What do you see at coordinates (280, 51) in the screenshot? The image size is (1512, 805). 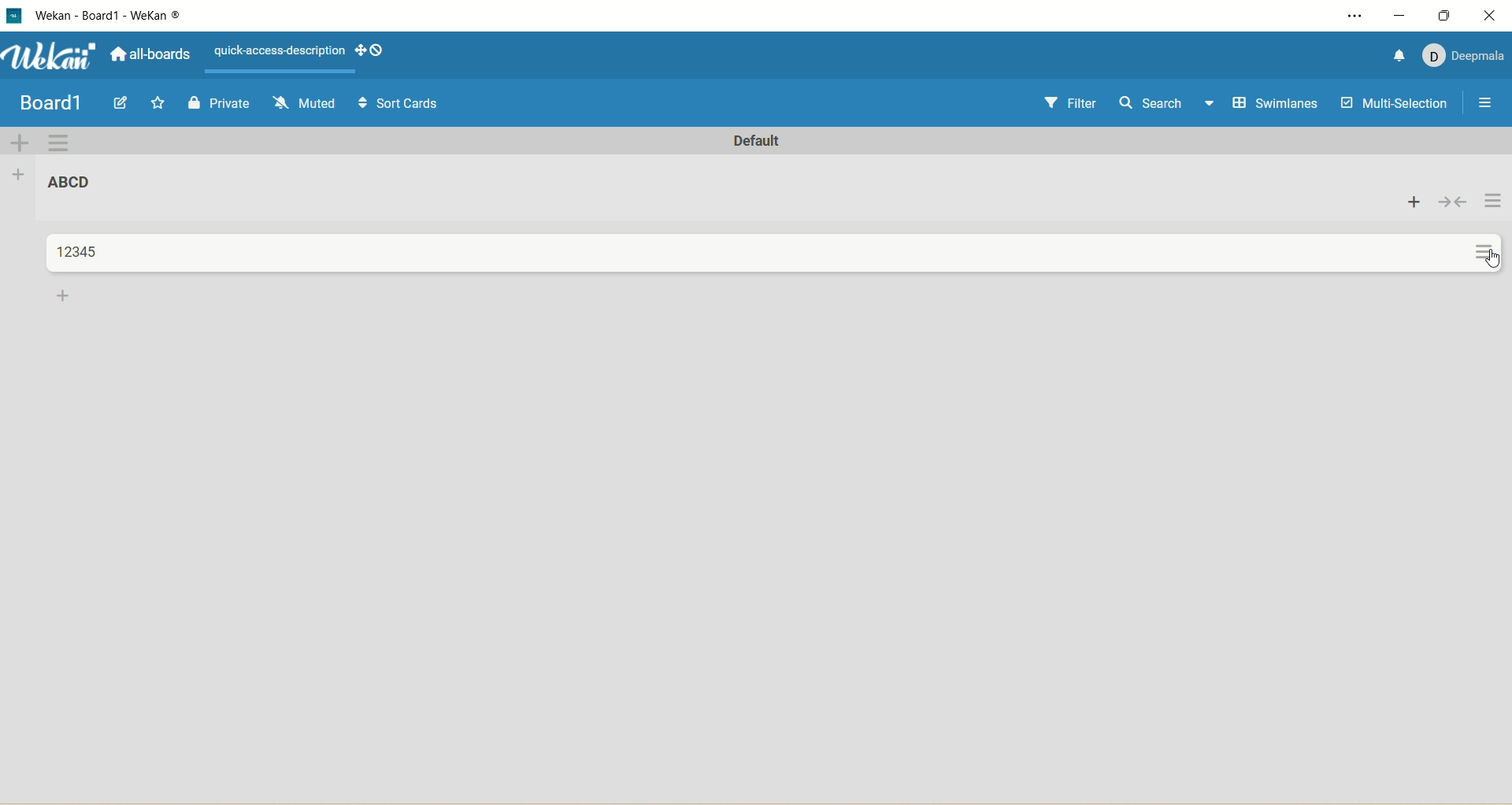 I see `text` at bounding box center [280, 51].